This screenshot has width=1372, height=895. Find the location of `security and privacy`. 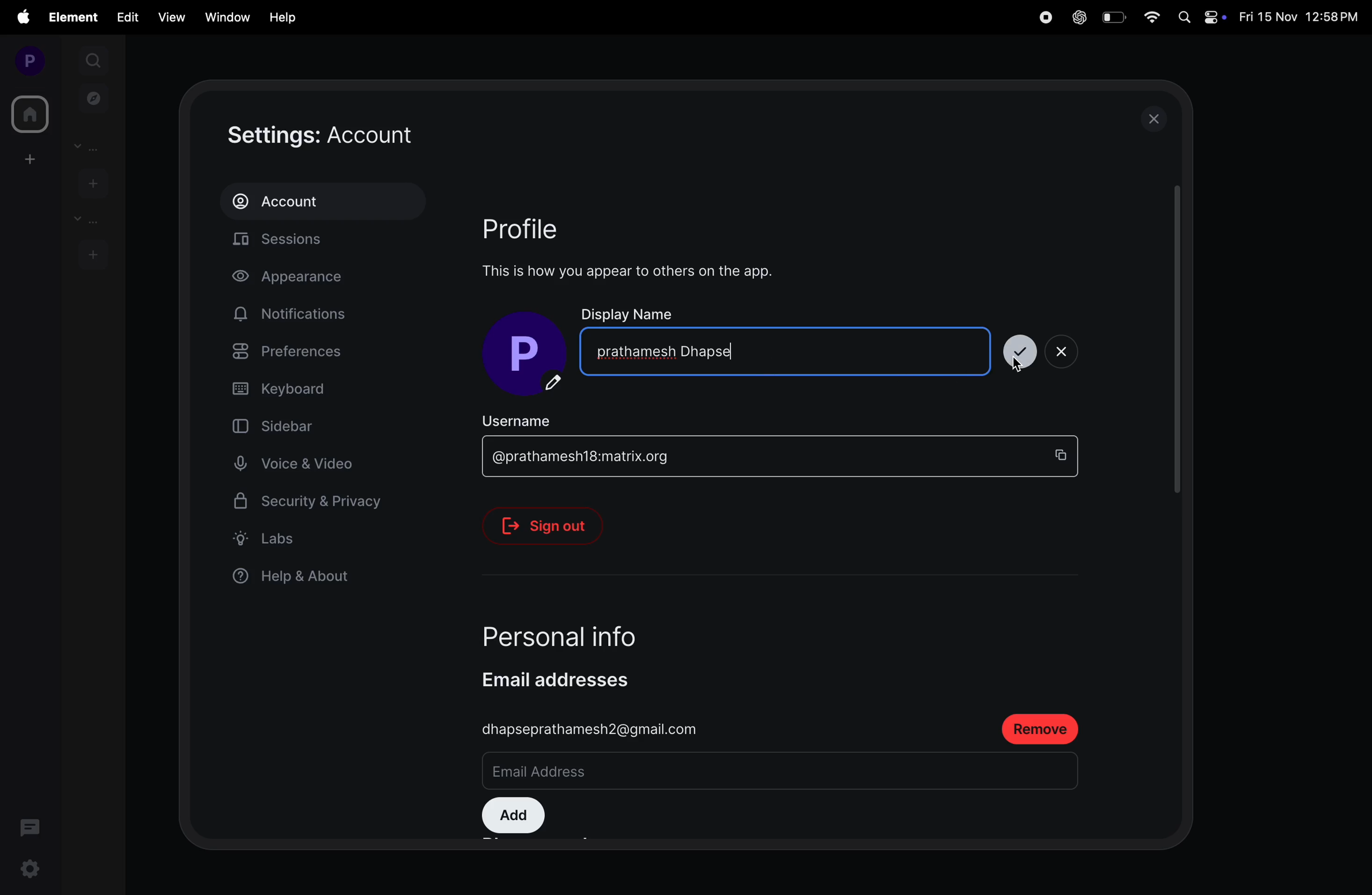

security and privacy is located at coordinates (309, 505).